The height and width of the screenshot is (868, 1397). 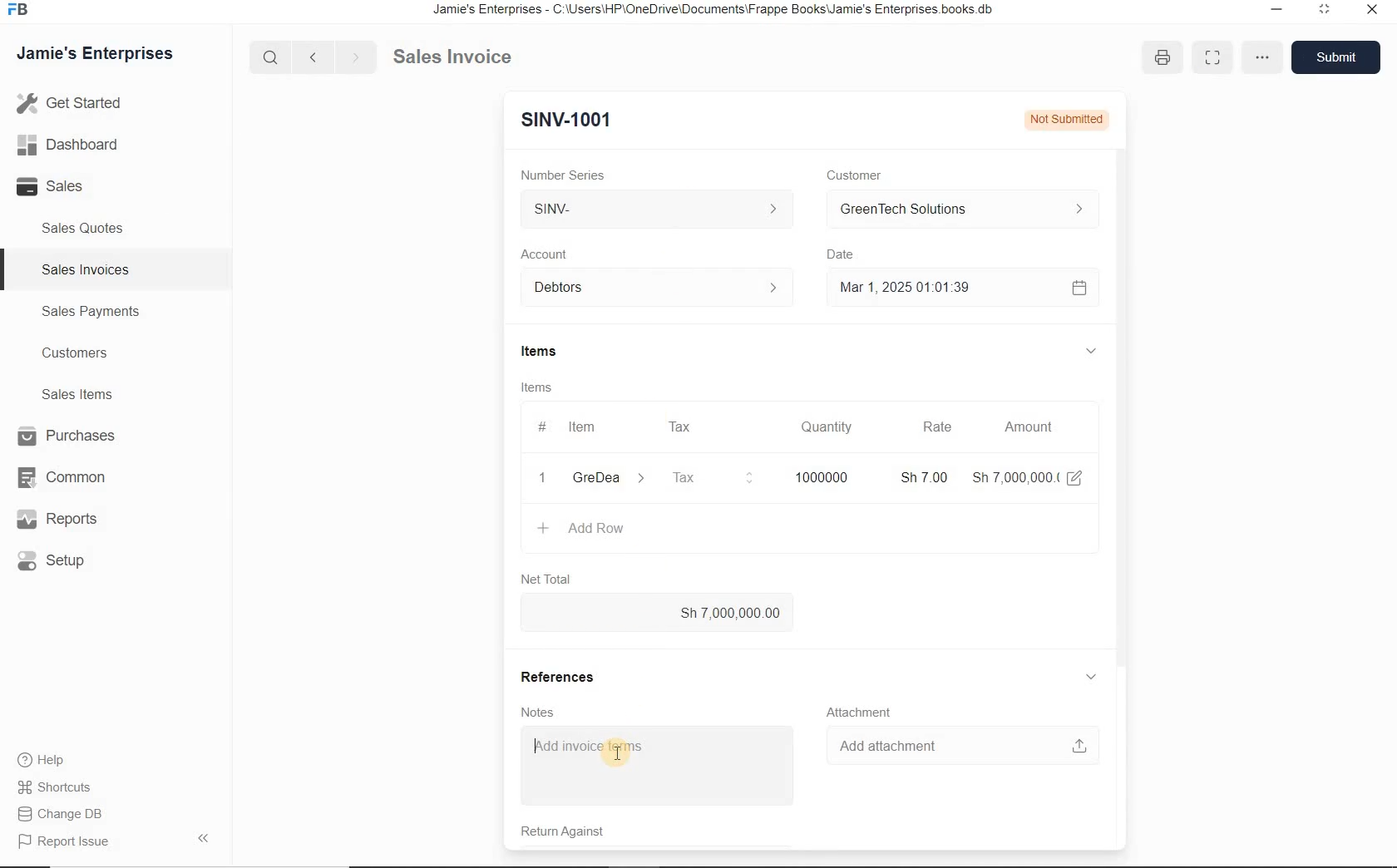 What do you see at coordinates (827, 427) in the screenshot?
I see `Quantity` at bounding box center [827, 427].